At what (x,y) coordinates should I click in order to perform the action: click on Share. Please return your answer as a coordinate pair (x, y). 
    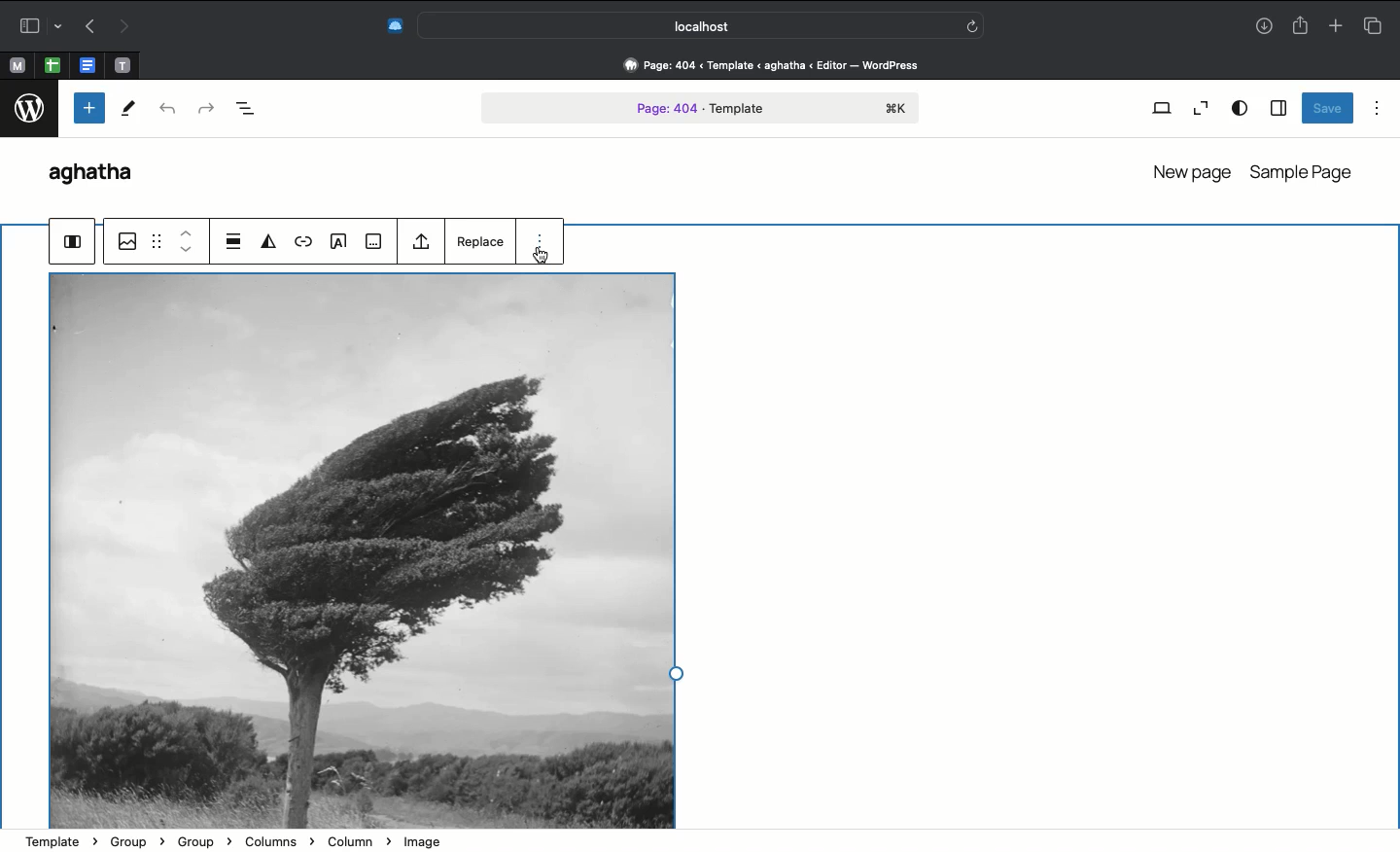
    Looking at the image, I should click on (1299, 23).